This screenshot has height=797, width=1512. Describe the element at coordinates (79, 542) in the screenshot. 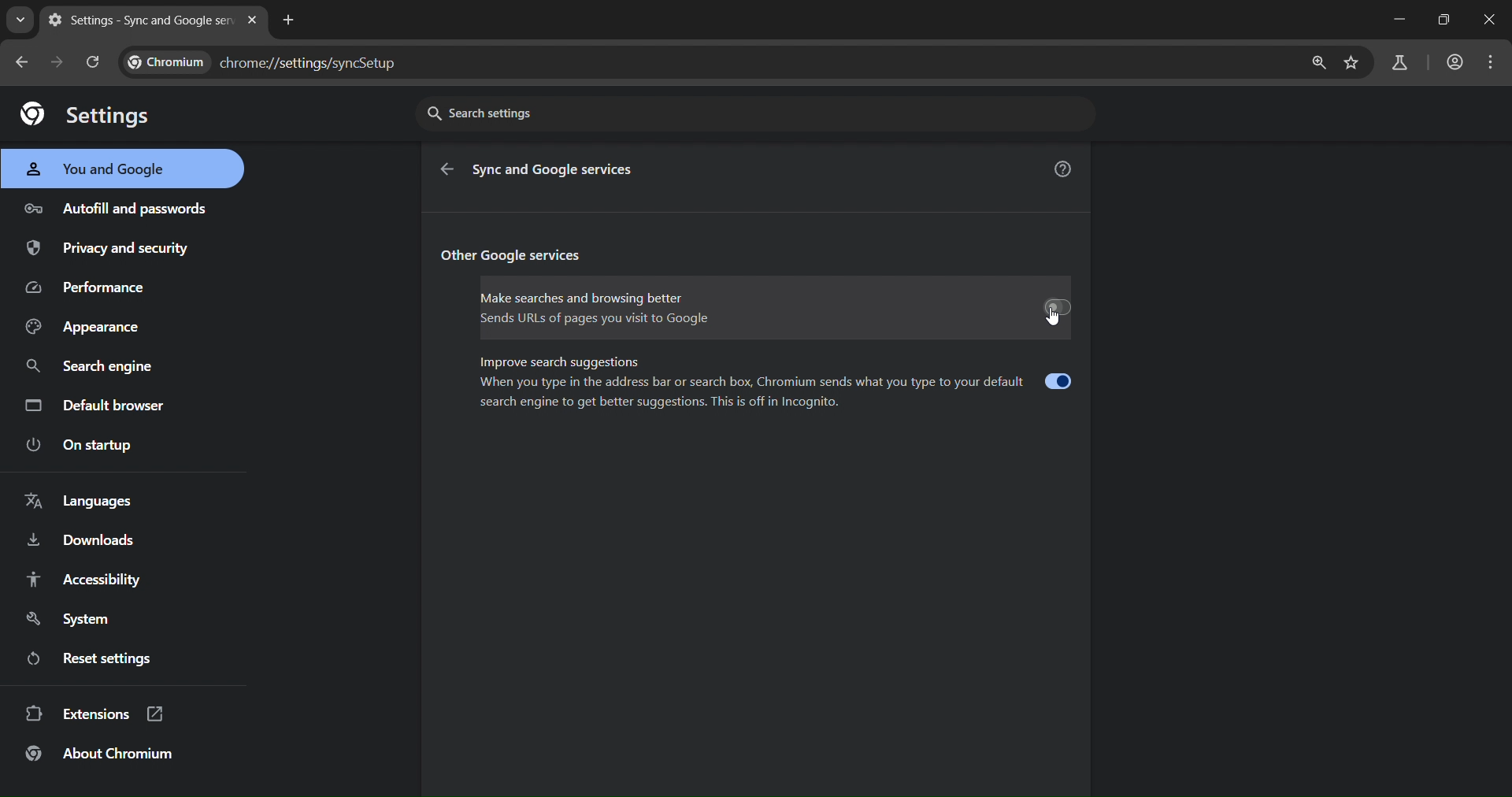

I see `downloads` at that location.